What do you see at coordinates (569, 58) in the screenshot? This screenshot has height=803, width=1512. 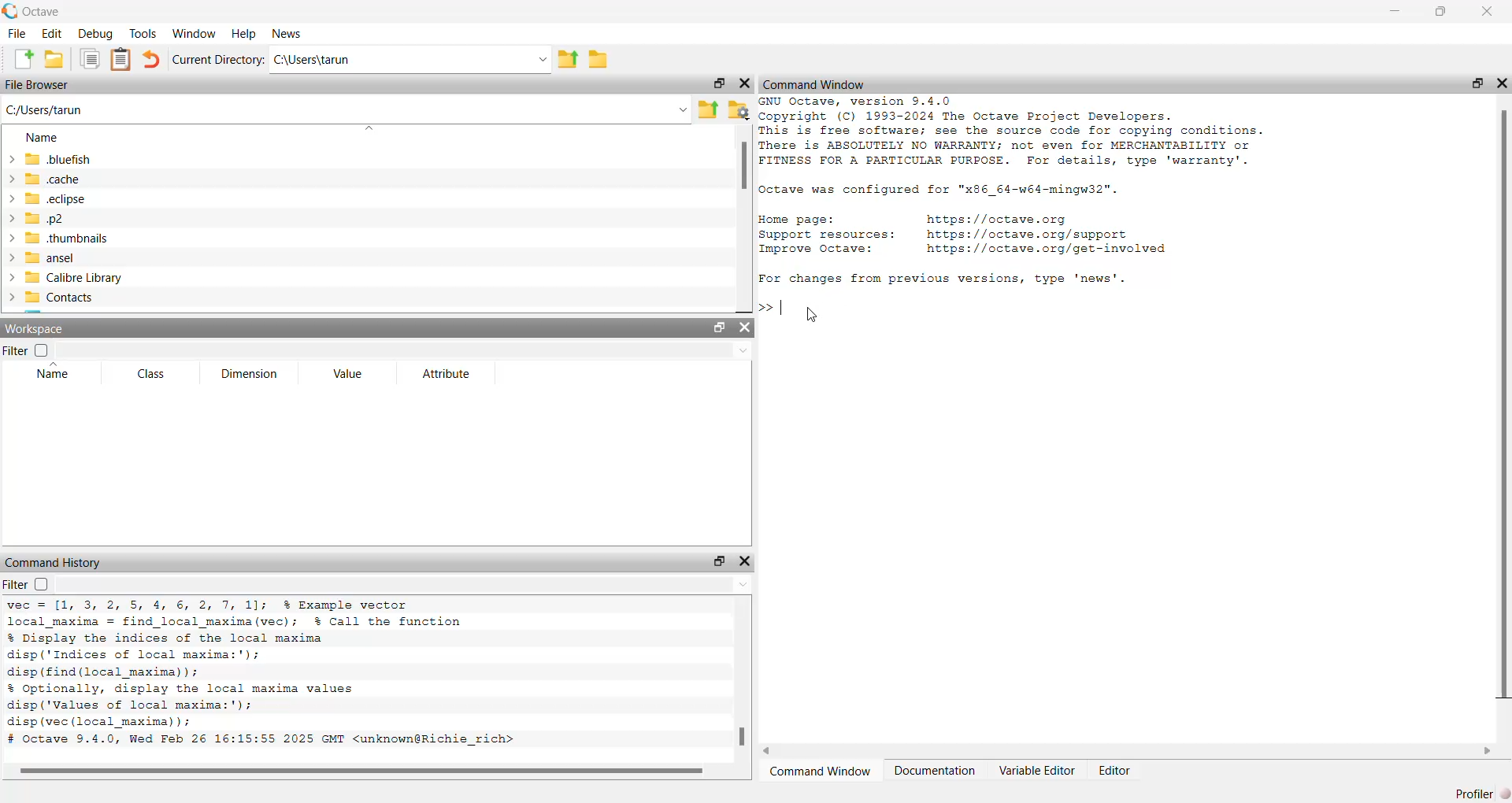 I see `One directory up` at bounding box center [569, 58].